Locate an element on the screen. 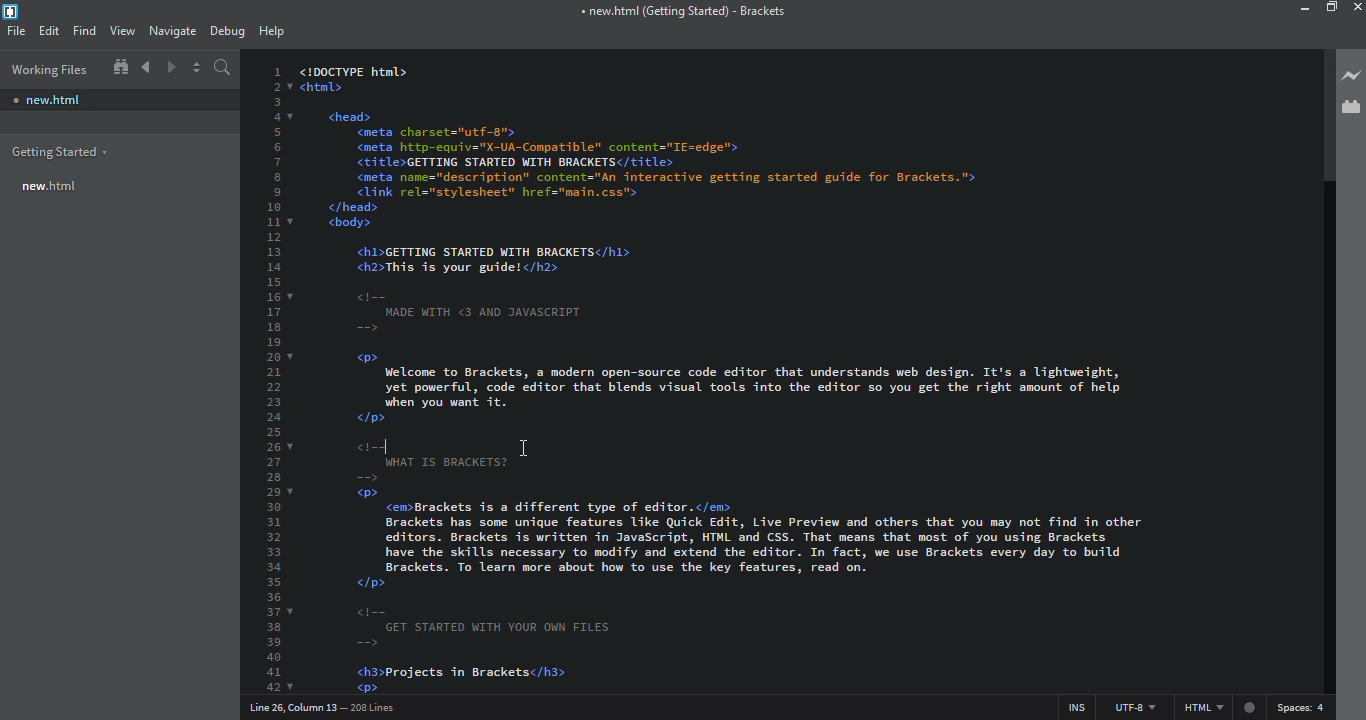 This screenshot has width=1366, height=720. find is located at coordinates (84, 31).